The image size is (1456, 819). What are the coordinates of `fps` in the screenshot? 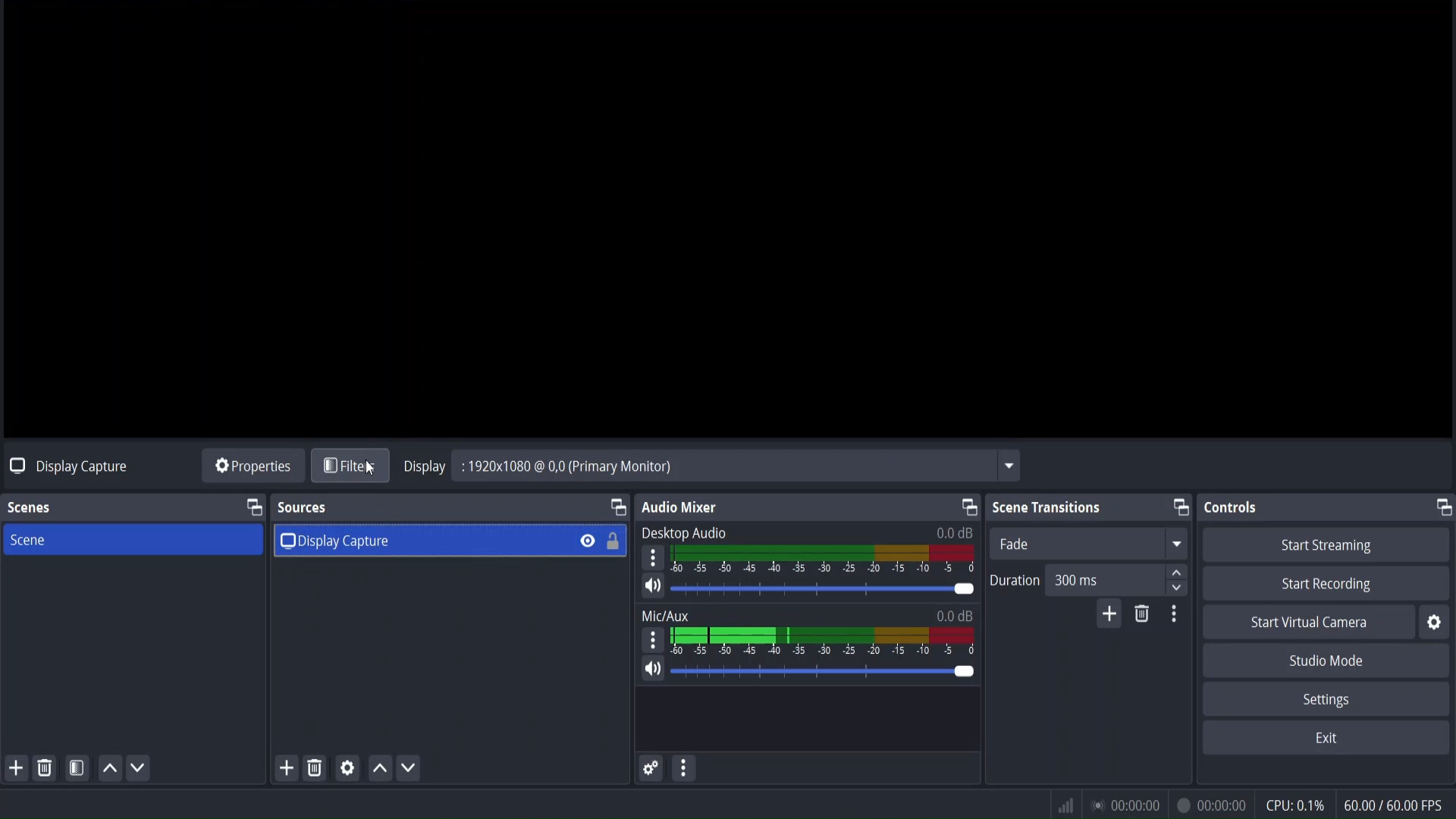 It's located at (1395, 805).